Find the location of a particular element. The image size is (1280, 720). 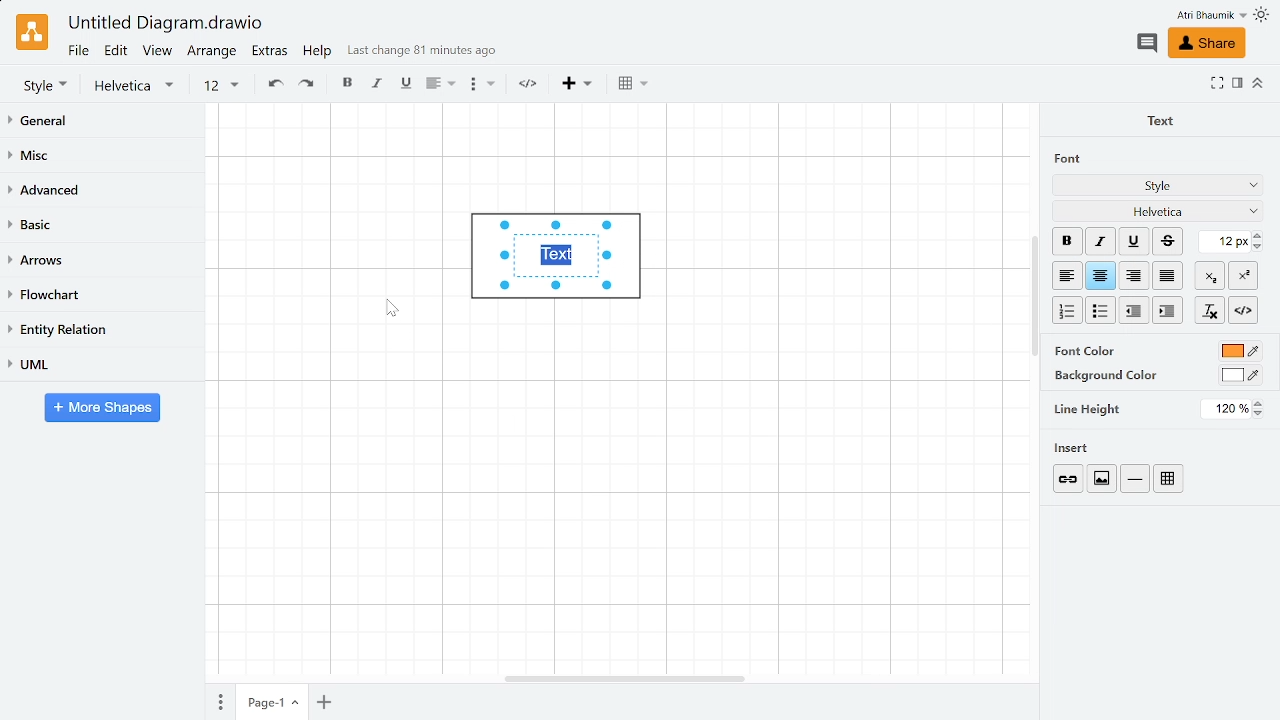

line height is located at coordinates (1088, 408).